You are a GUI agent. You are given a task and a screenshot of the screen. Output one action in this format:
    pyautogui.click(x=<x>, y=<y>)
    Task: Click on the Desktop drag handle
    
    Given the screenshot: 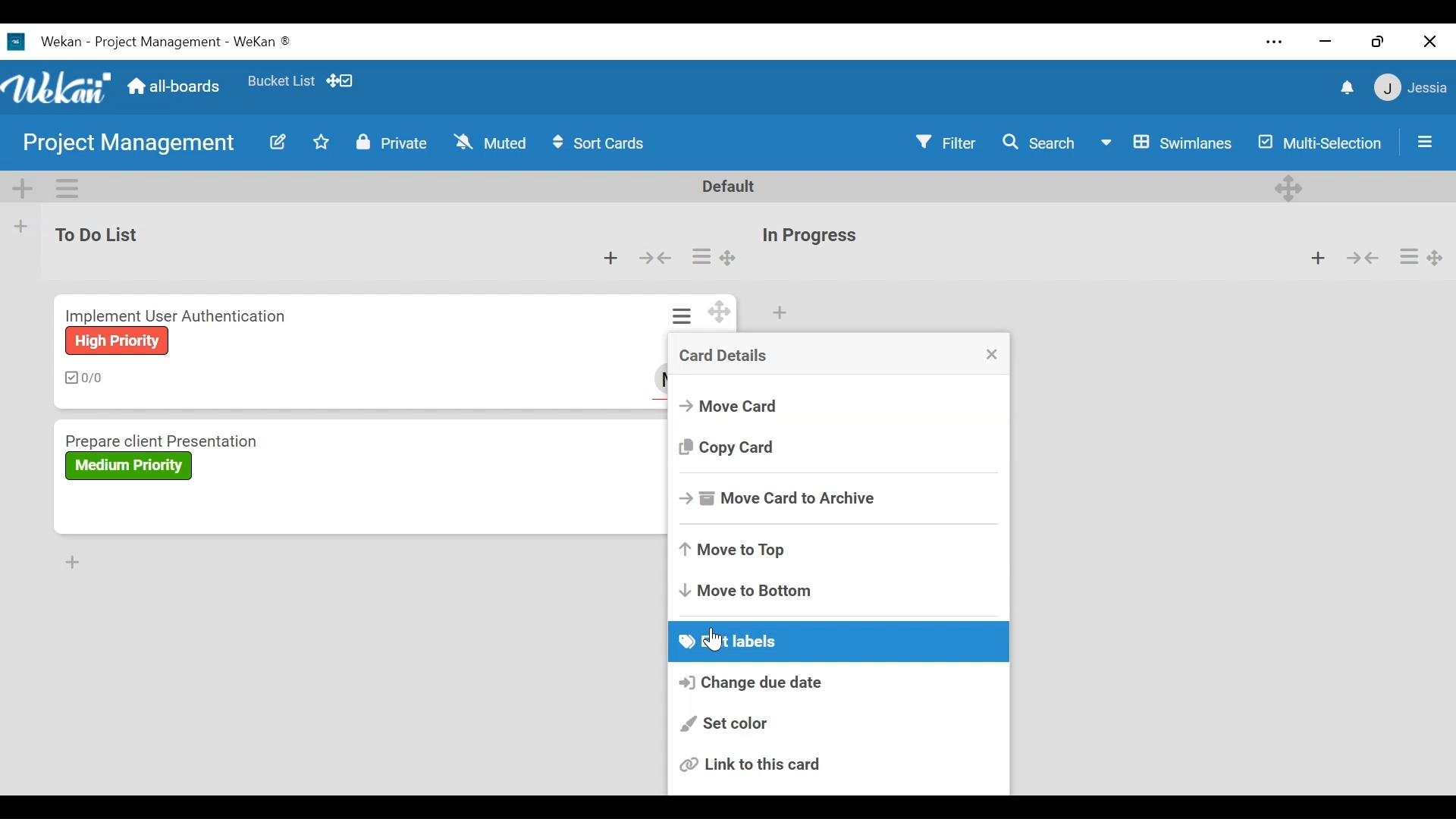 What is the action you would take?
    pyautogui.click(x=729, y=259)
    